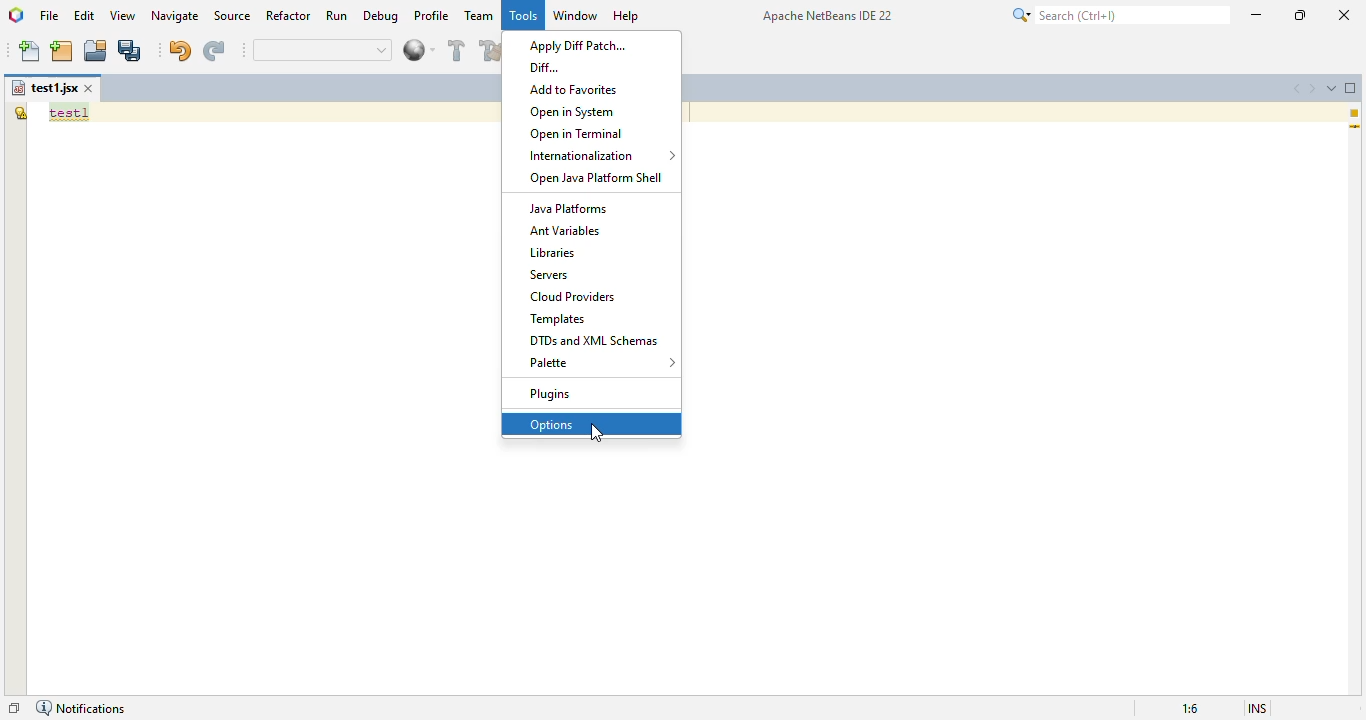 The width and height of the screenshot is (1366, 720). What do you see at coordinates (572, 112) in the screenshot?
I see `open in system` at bounding box center [572, 112].